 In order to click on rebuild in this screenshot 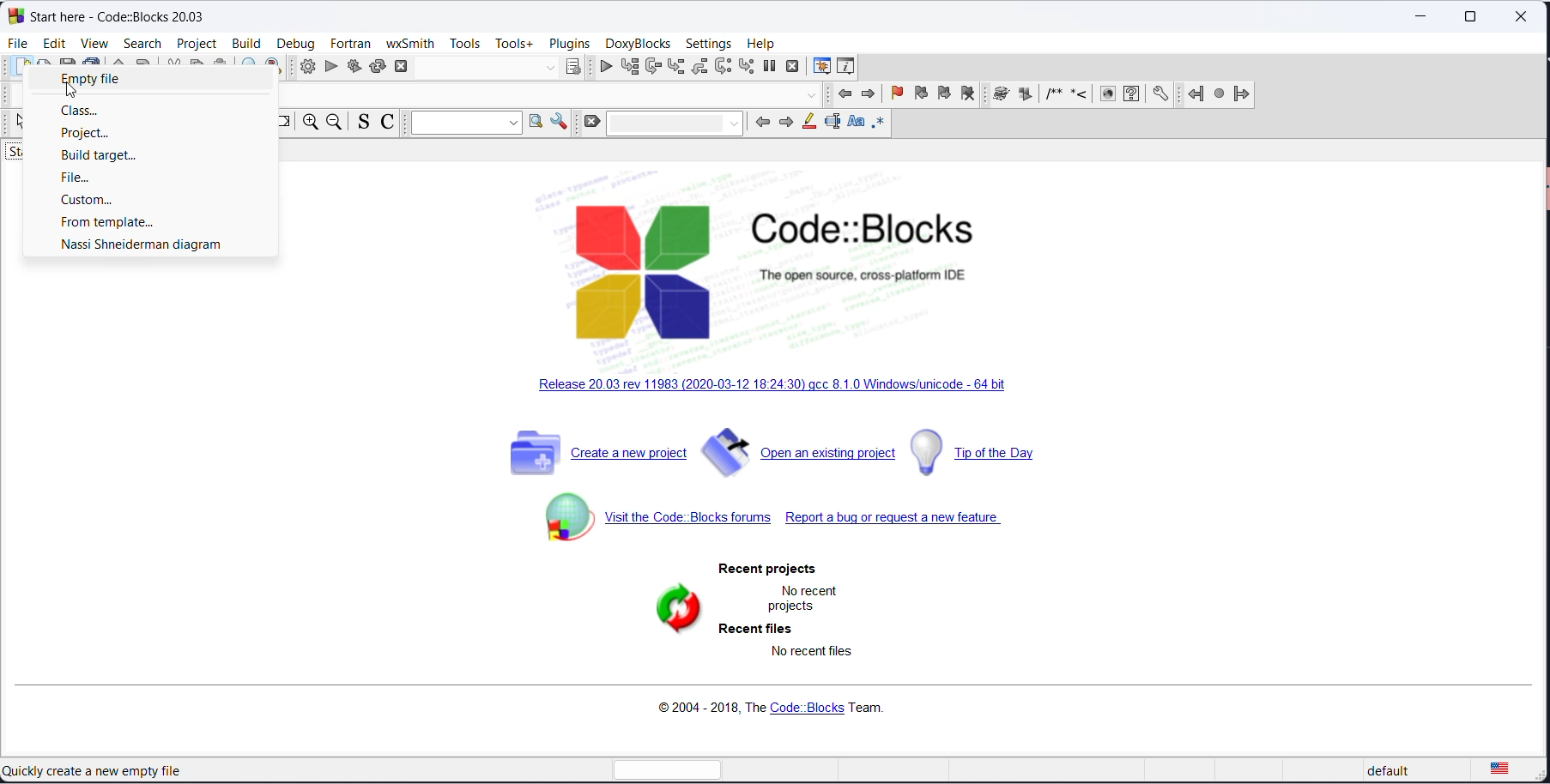, I will do `click(377, 66)`.